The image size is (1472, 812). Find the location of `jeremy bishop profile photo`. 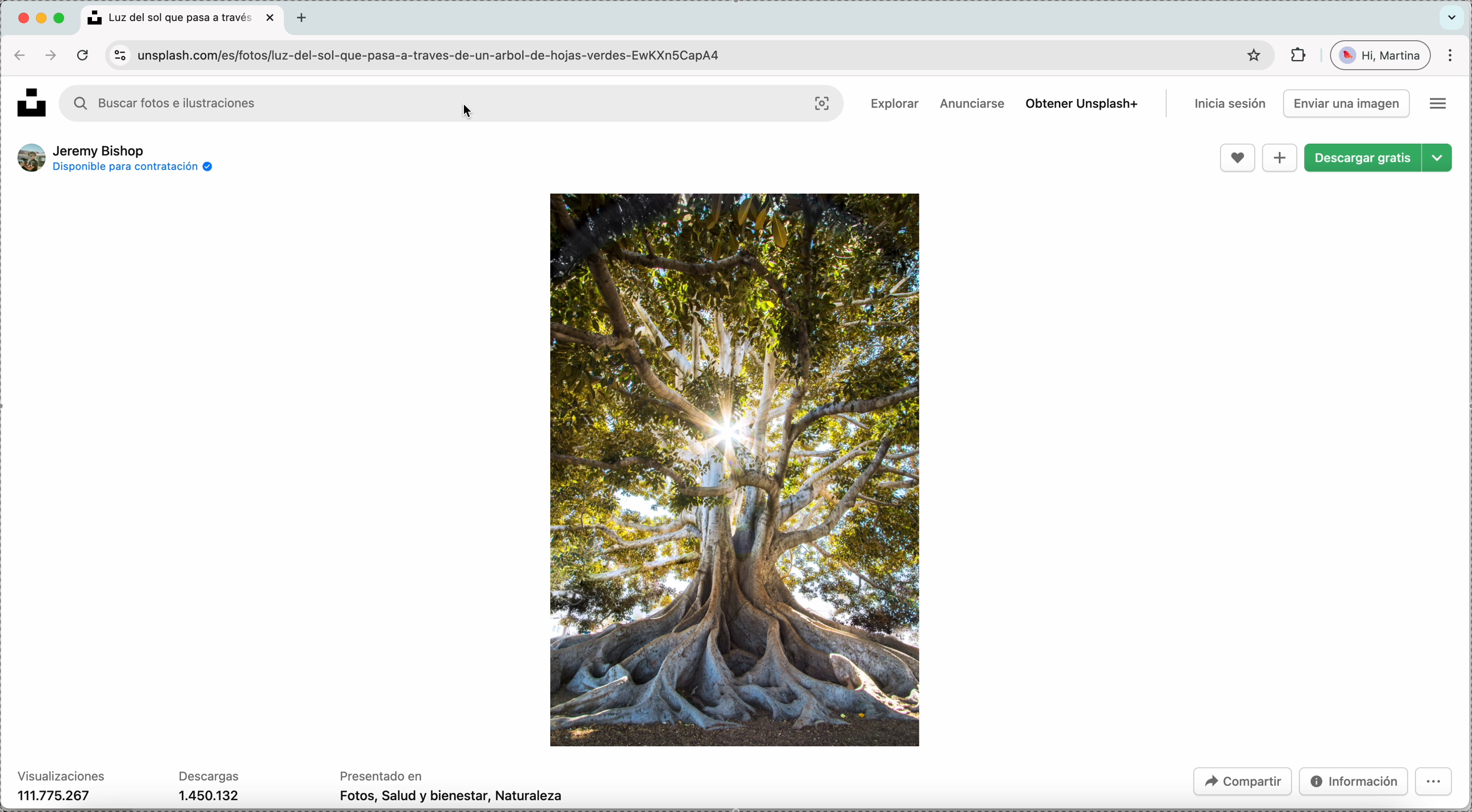

jeremy bishop profile photo is located at coordinates (30, 158).